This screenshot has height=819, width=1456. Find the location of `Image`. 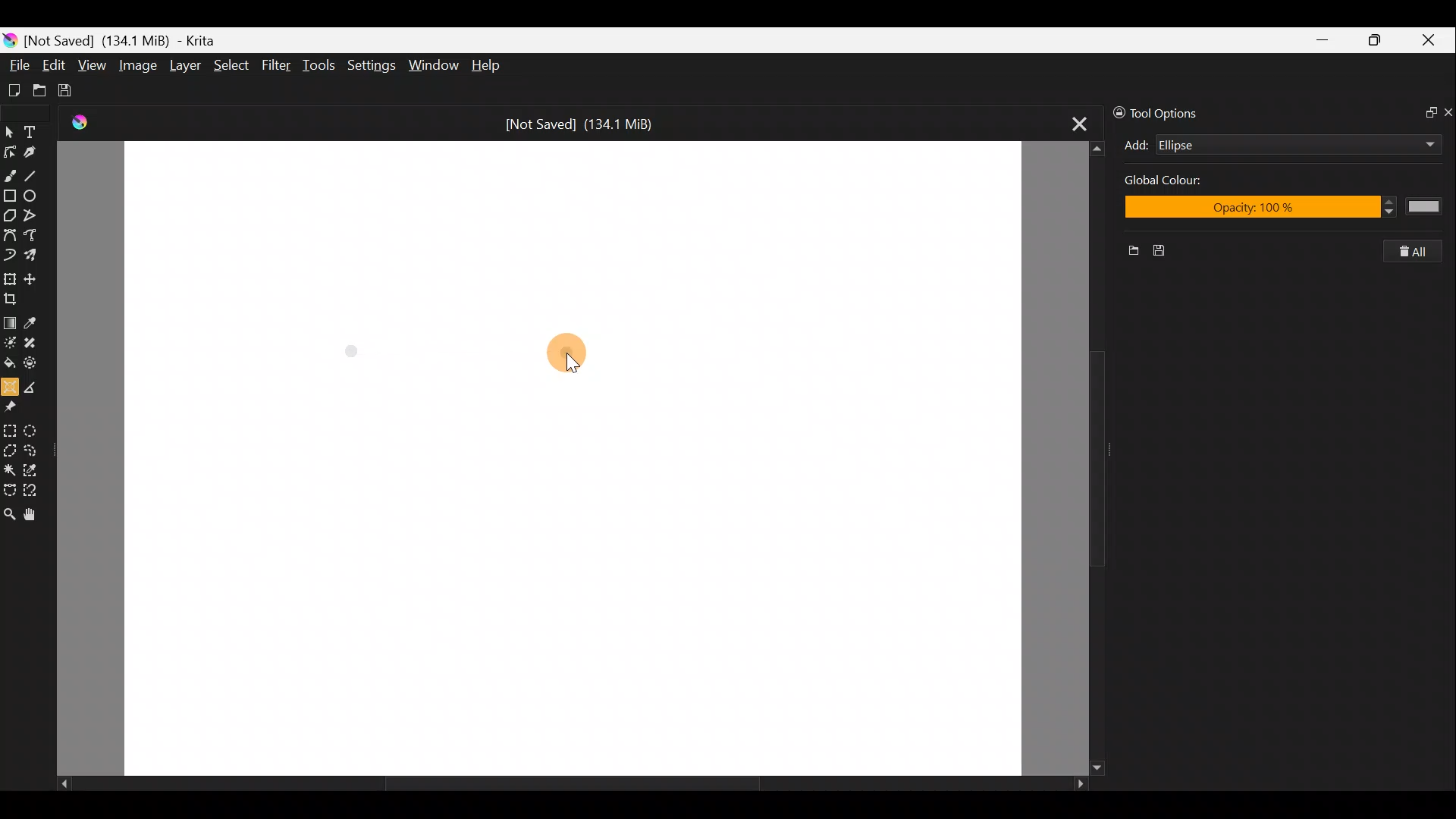

Image is located at coordinates (140, 64).